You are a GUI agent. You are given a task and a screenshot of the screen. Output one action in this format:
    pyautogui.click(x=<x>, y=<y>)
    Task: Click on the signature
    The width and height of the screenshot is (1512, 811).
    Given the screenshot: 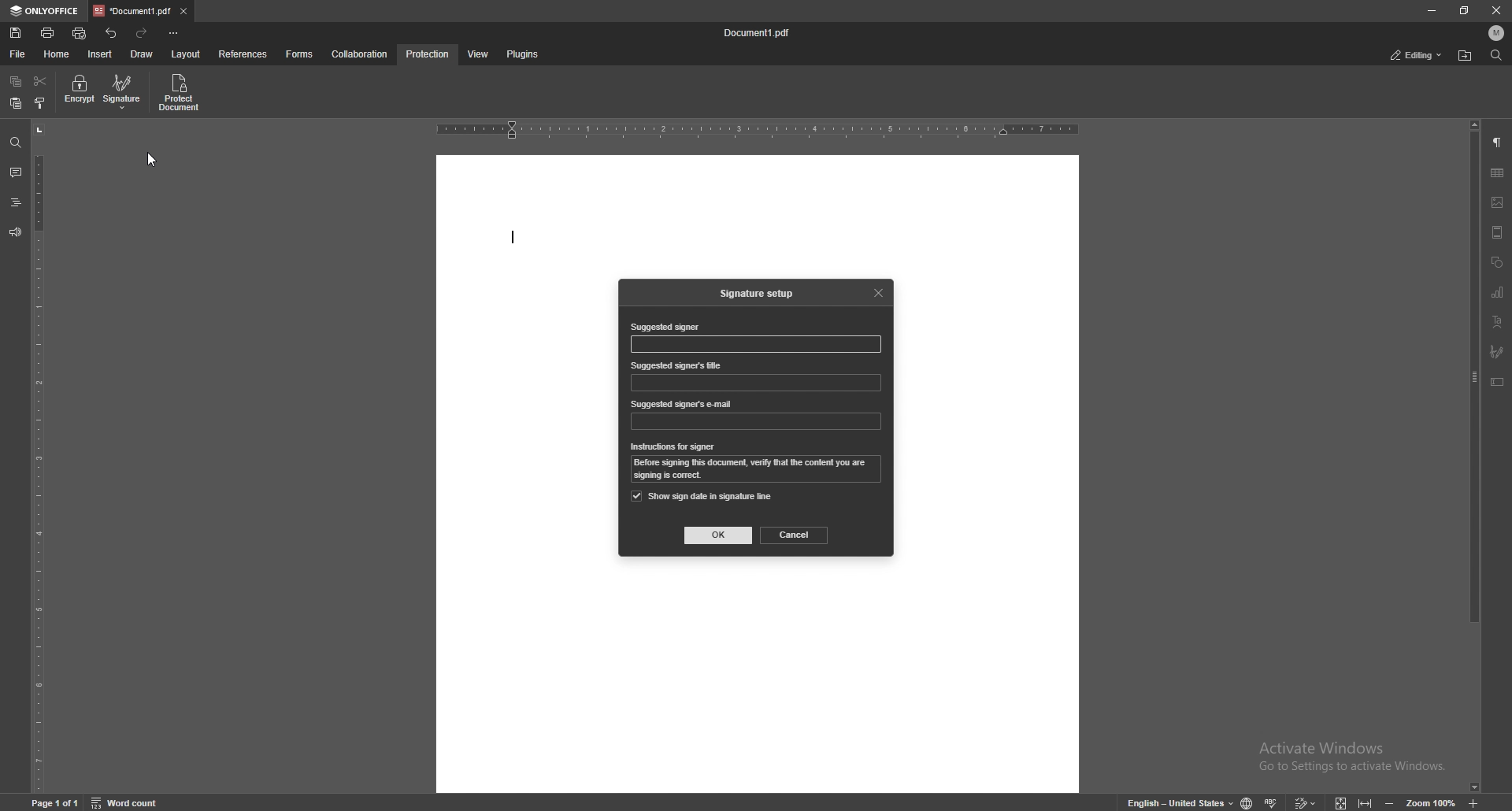 What is the action you would take?
    pyautogui.click(x=124, y=91)
    